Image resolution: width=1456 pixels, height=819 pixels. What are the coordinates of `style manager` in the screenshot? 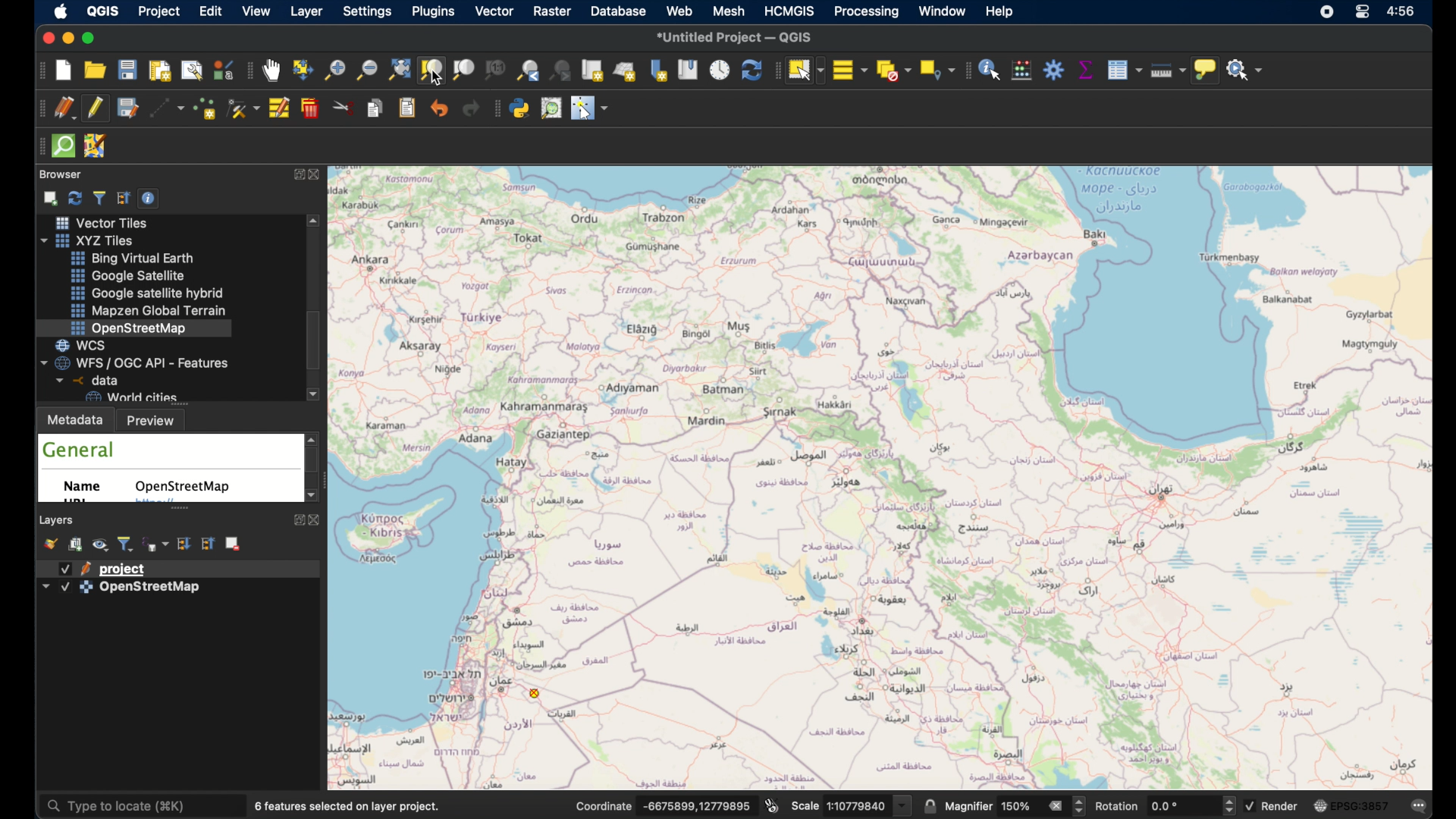 It's located at (224, 69).